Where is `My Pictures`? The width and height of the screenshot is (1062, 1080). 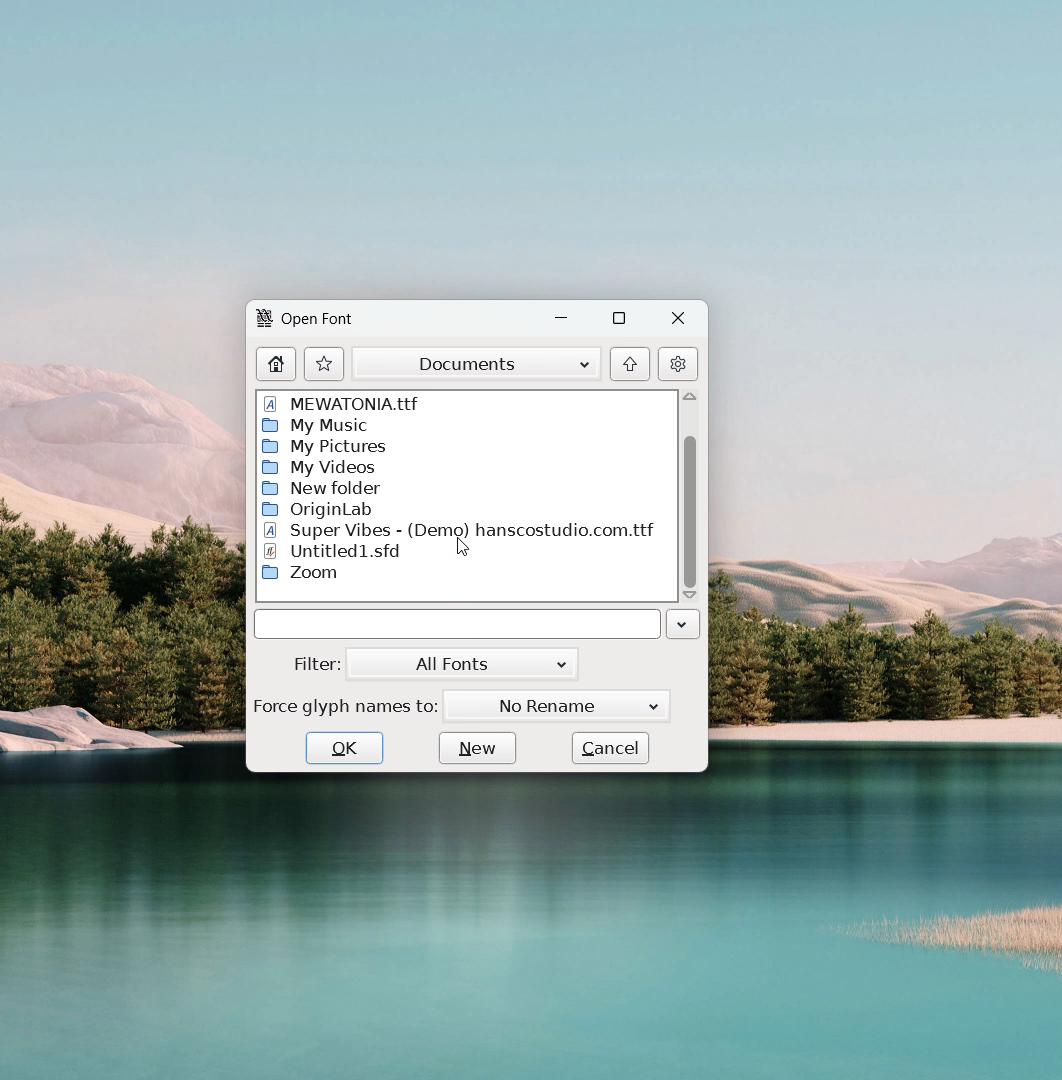
My Pictures is located at coordinates (332, 448).